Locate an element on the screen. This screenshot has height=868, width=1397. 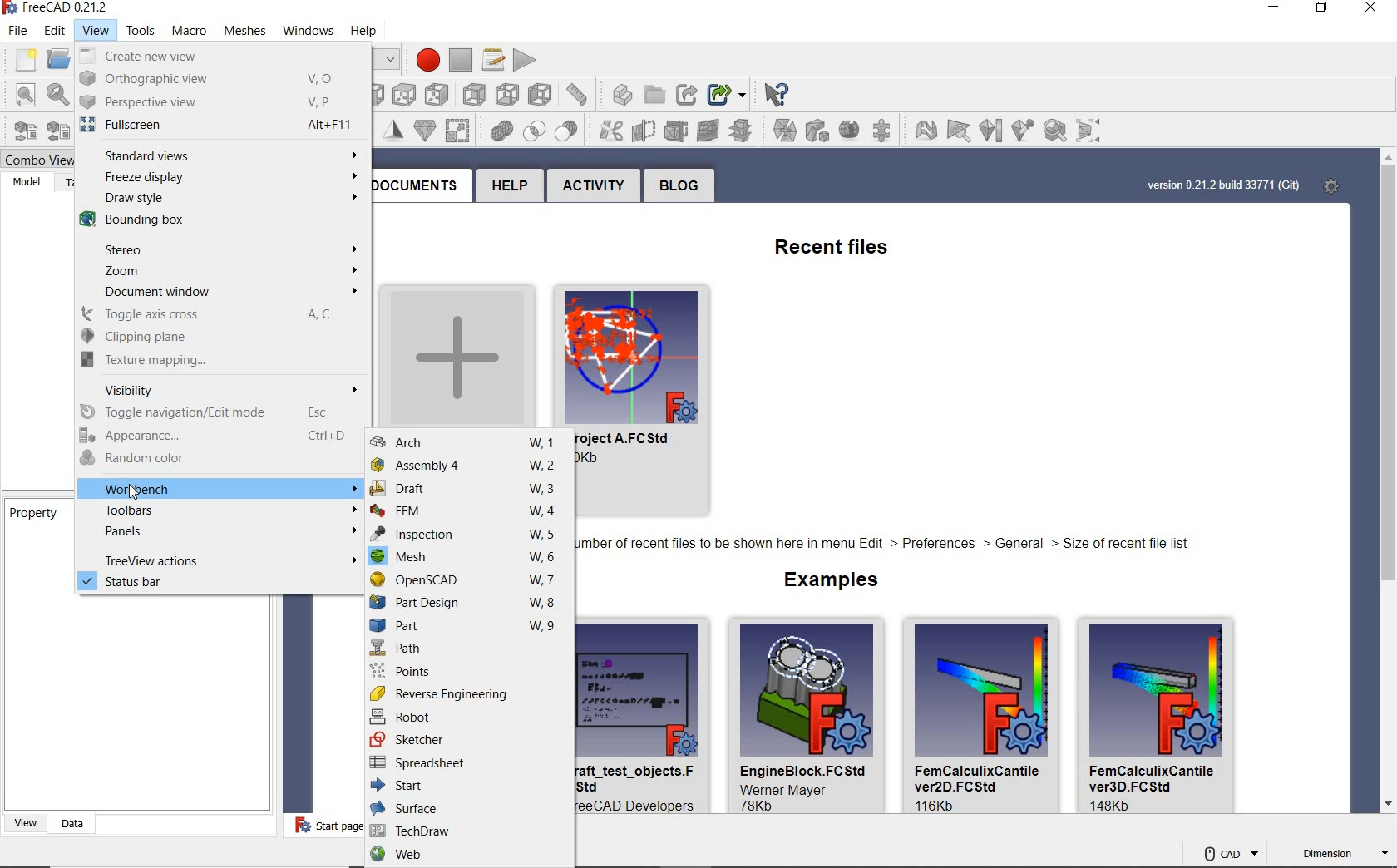
macro is located at coordinates (185, 31).